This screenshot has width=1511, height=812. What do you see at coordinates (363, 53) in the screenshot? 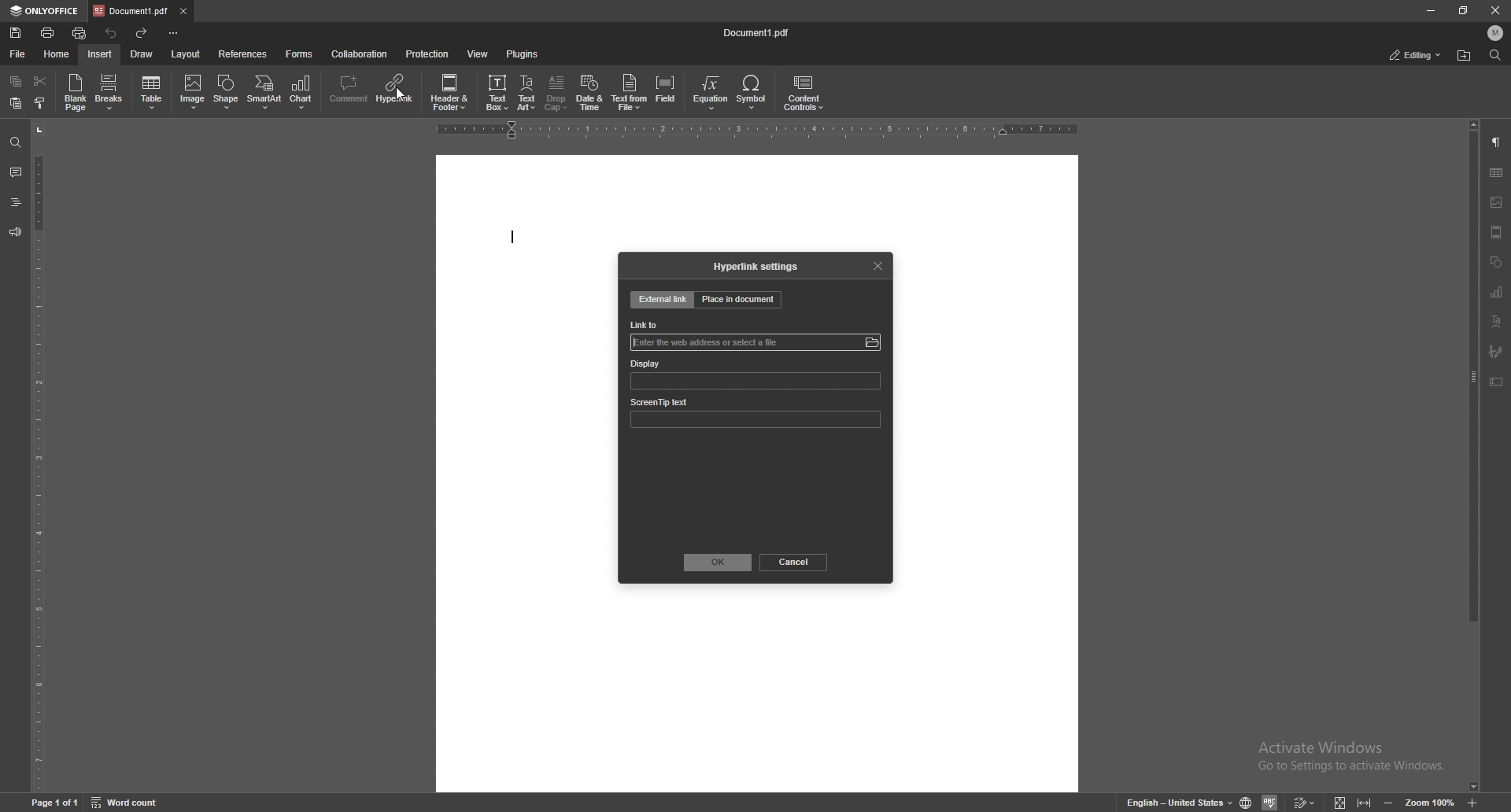
I see `collaboration` at bounding box center [363, 53].